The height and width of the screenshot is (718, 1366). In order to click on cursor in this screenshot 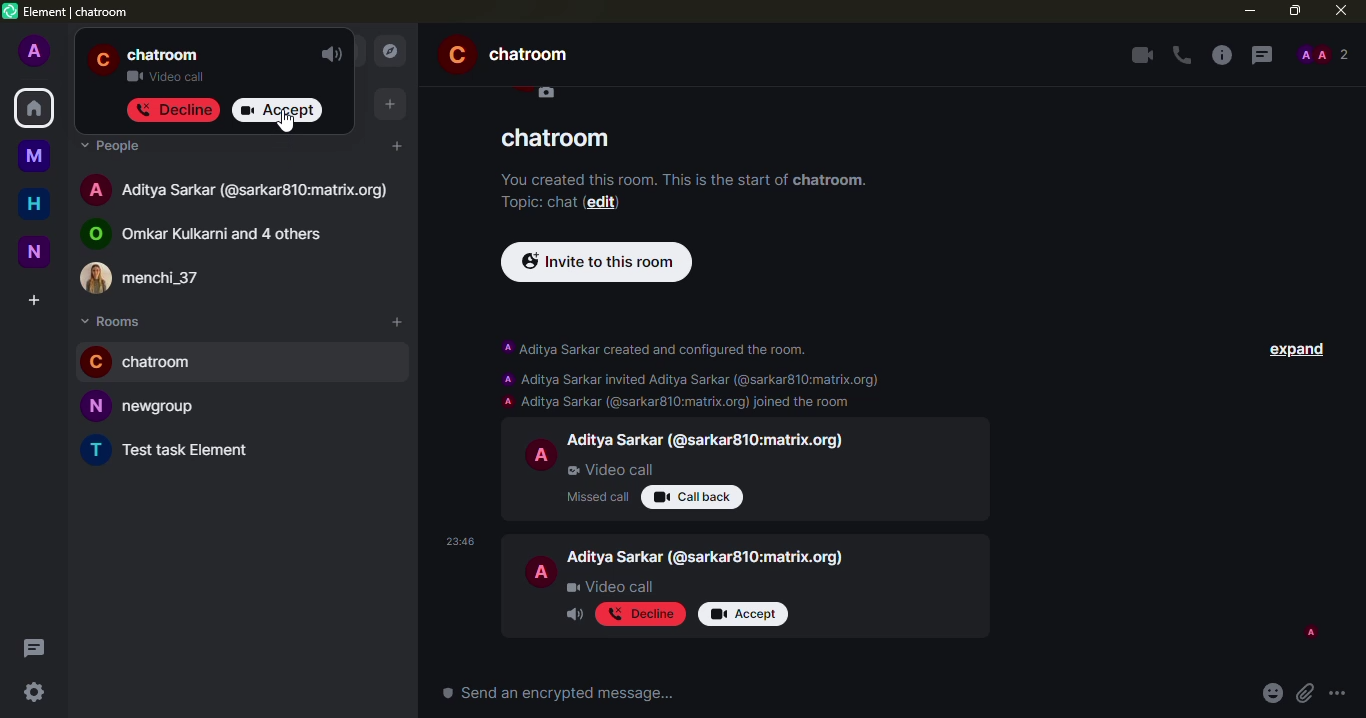, I will do `click(282, 124)`.